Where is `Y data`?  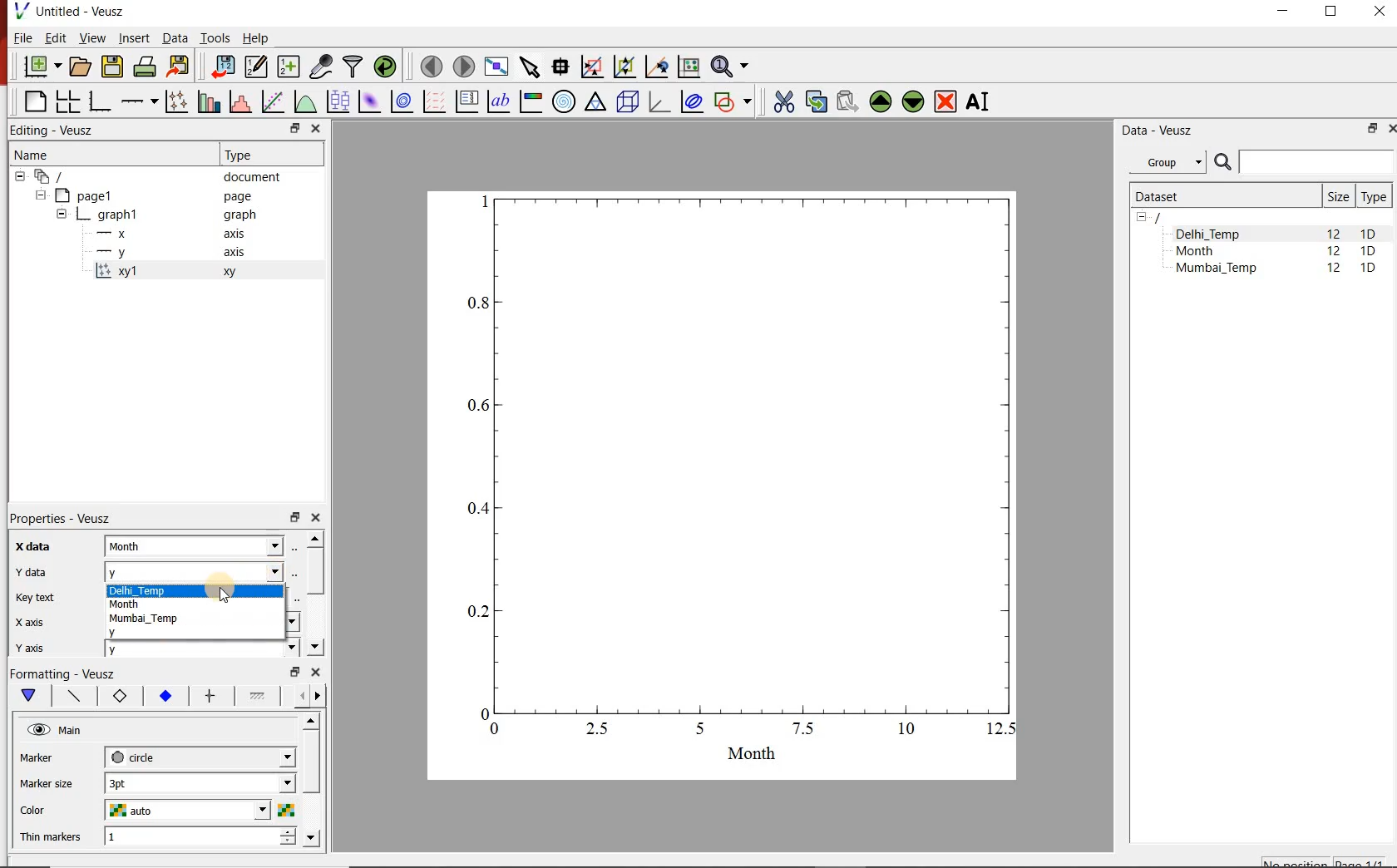
Y data is located at coordinates (29, 571).